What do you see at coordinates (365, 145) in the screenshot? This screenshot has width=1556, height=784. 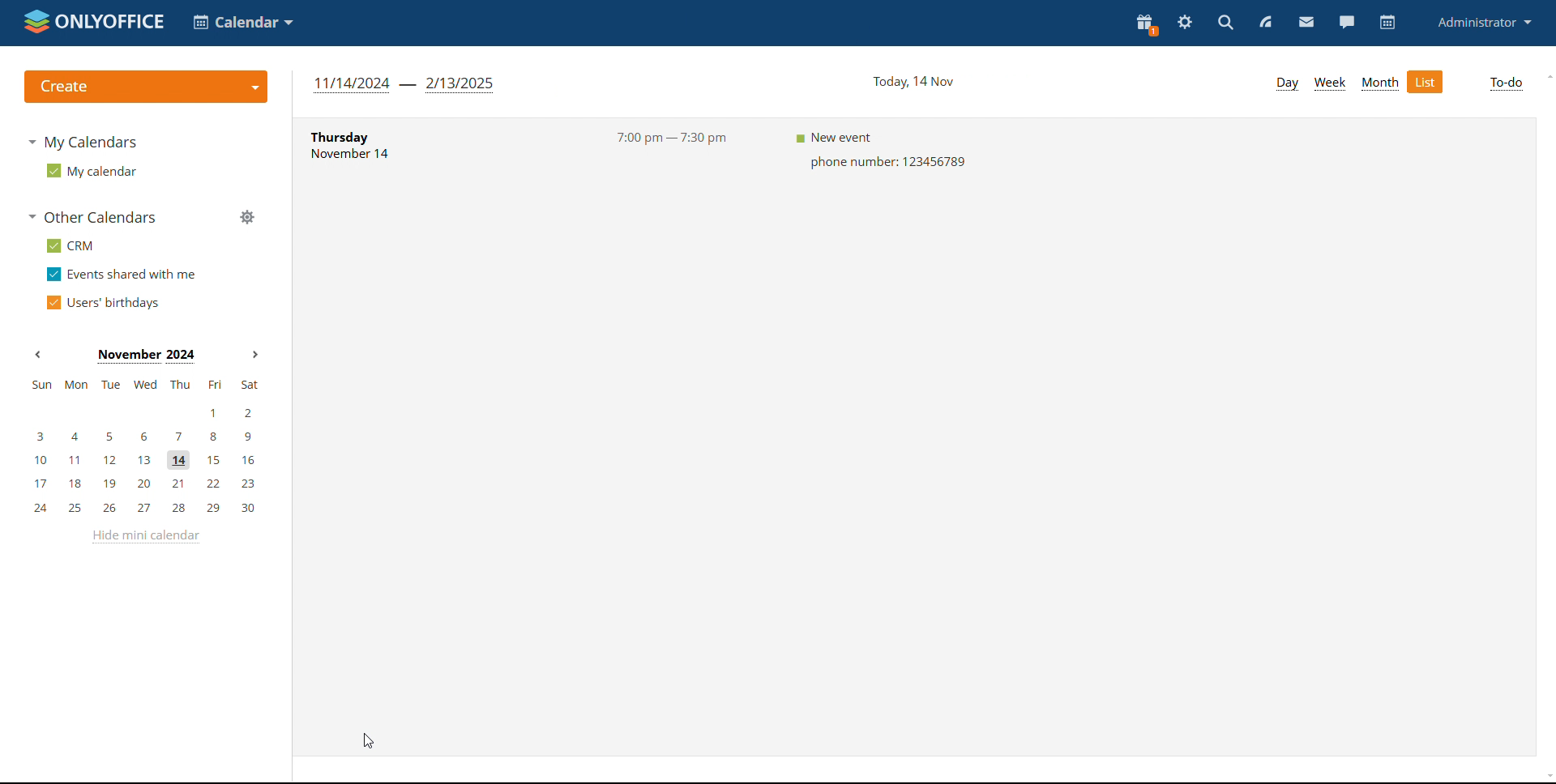 I see `Day and date` at bounding box center [365, 145].